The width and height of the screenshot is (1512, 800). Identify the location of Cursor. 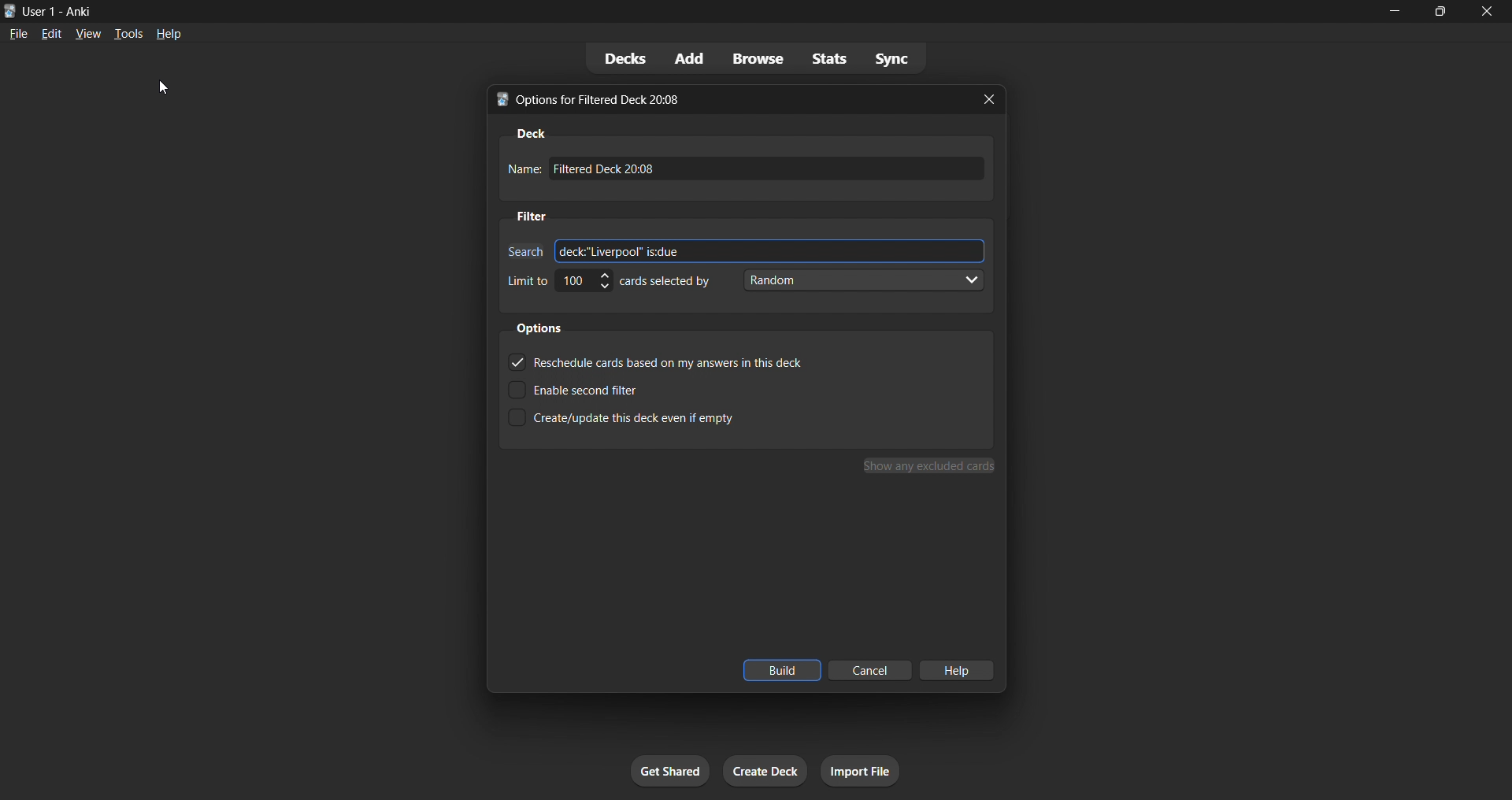
(164, 87).